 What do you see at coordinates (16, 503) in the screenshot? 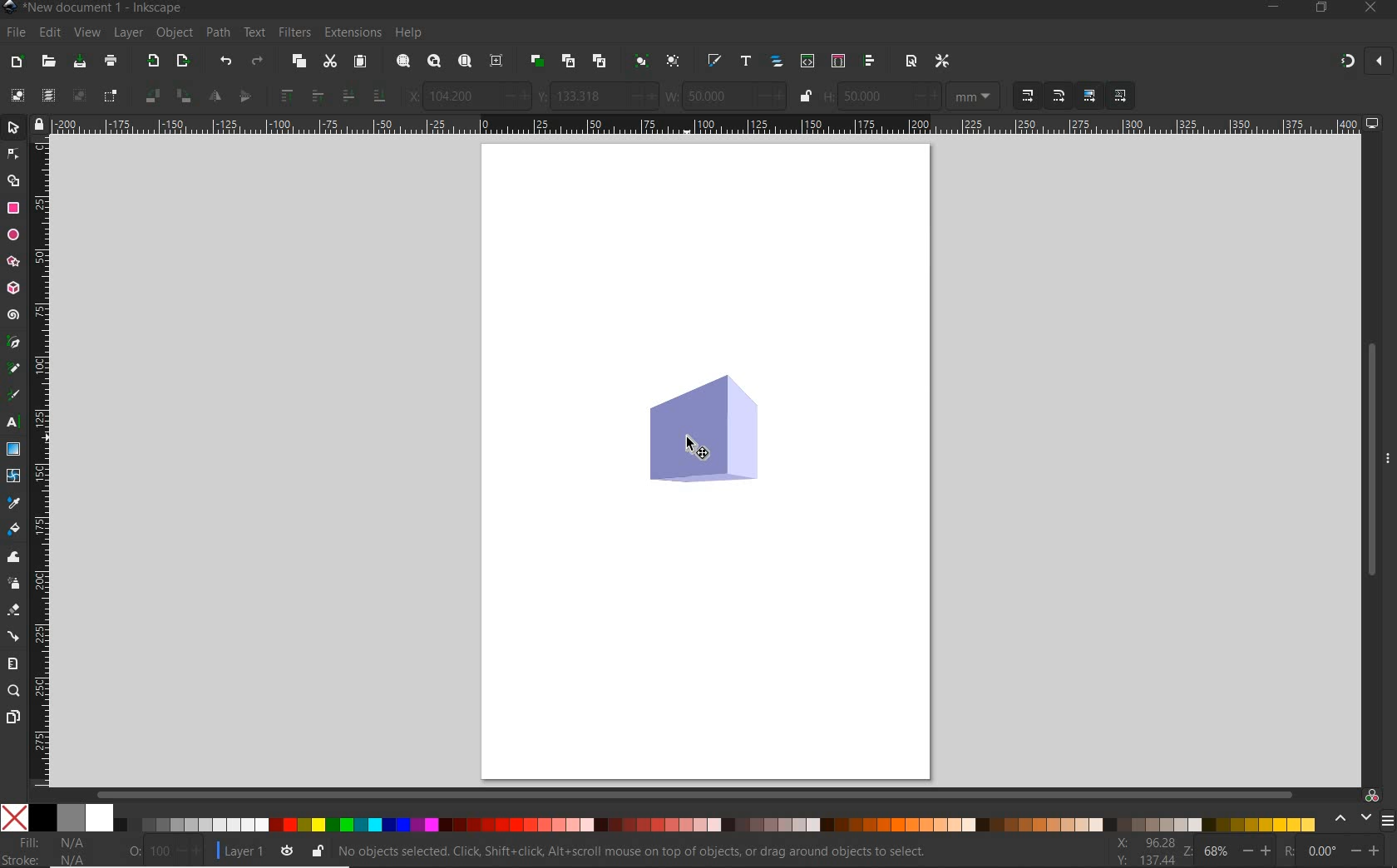
I see `dropper tool` at bounding box center [16, 503].